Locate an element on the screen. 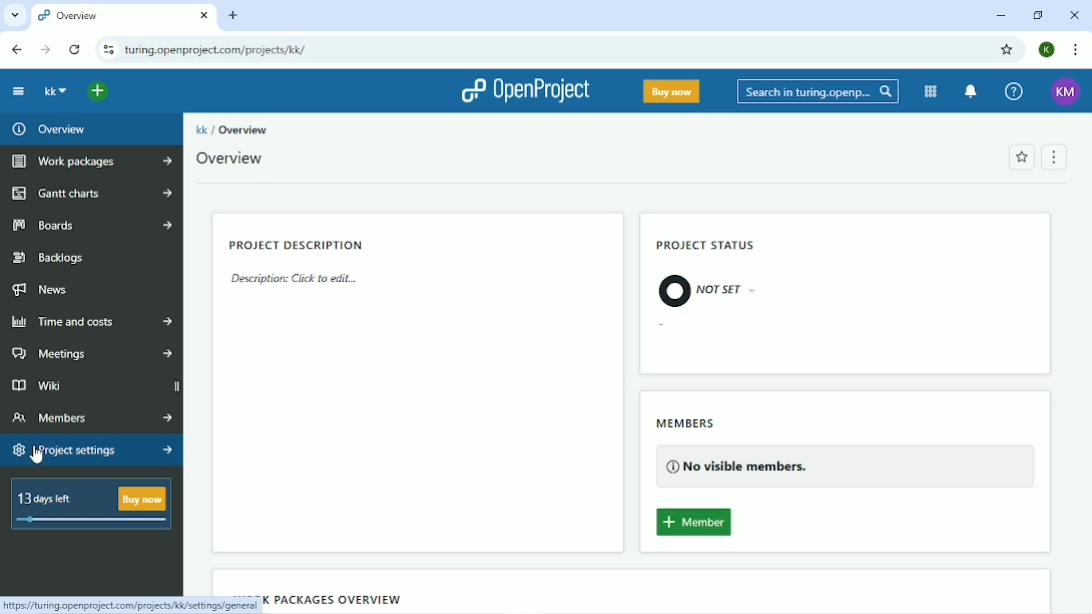 The image size is (1092, 614). Open quick add menu is located at coordinates (106, 94).